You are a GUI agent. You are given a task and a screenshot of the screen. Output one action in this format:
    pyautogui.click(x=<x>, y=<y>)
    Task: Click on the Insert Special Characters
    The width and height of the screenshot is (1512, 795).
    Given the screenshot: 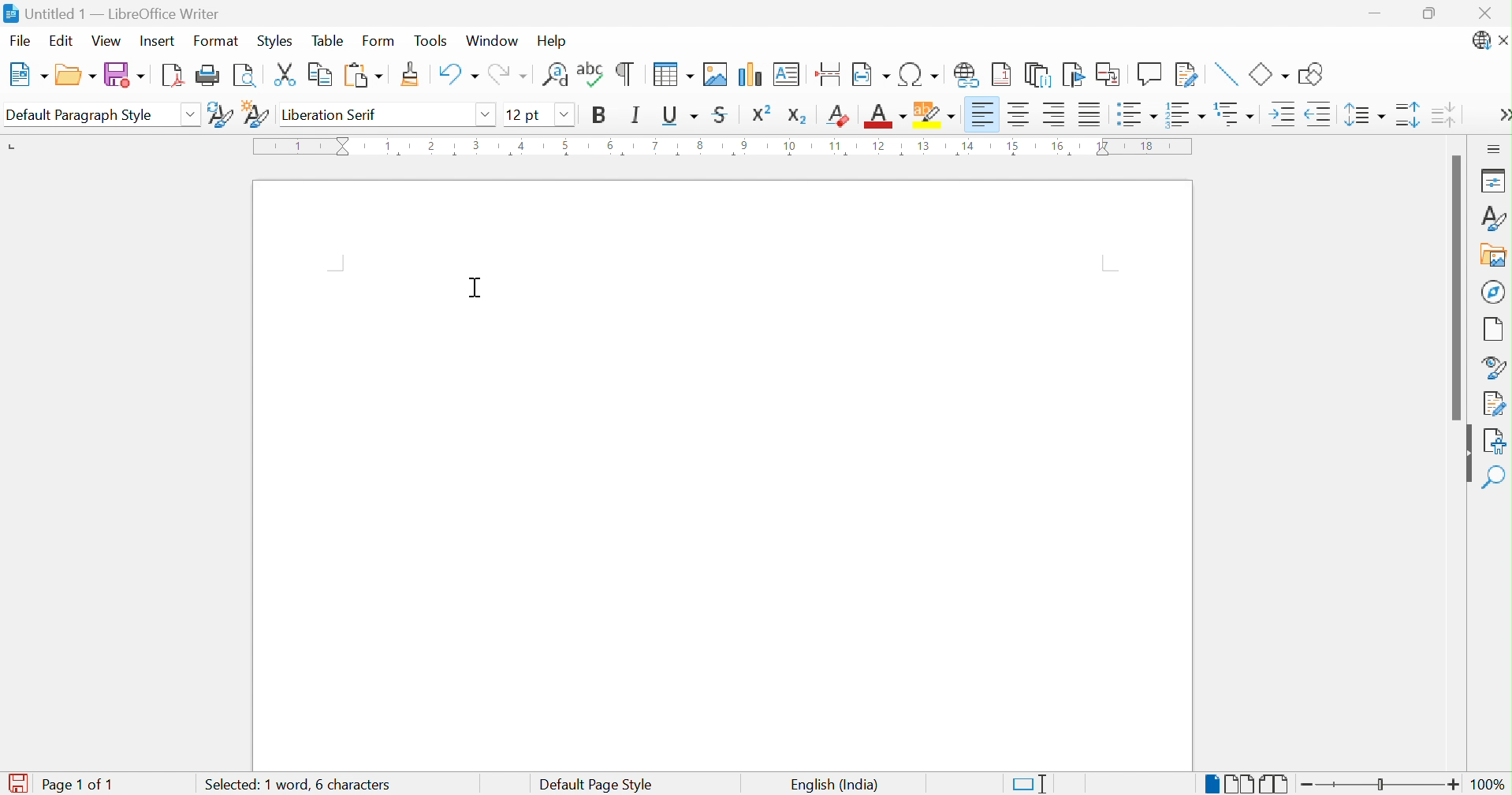 What is the action you would take?
    pyautogui.click(x=920, y=75)
    